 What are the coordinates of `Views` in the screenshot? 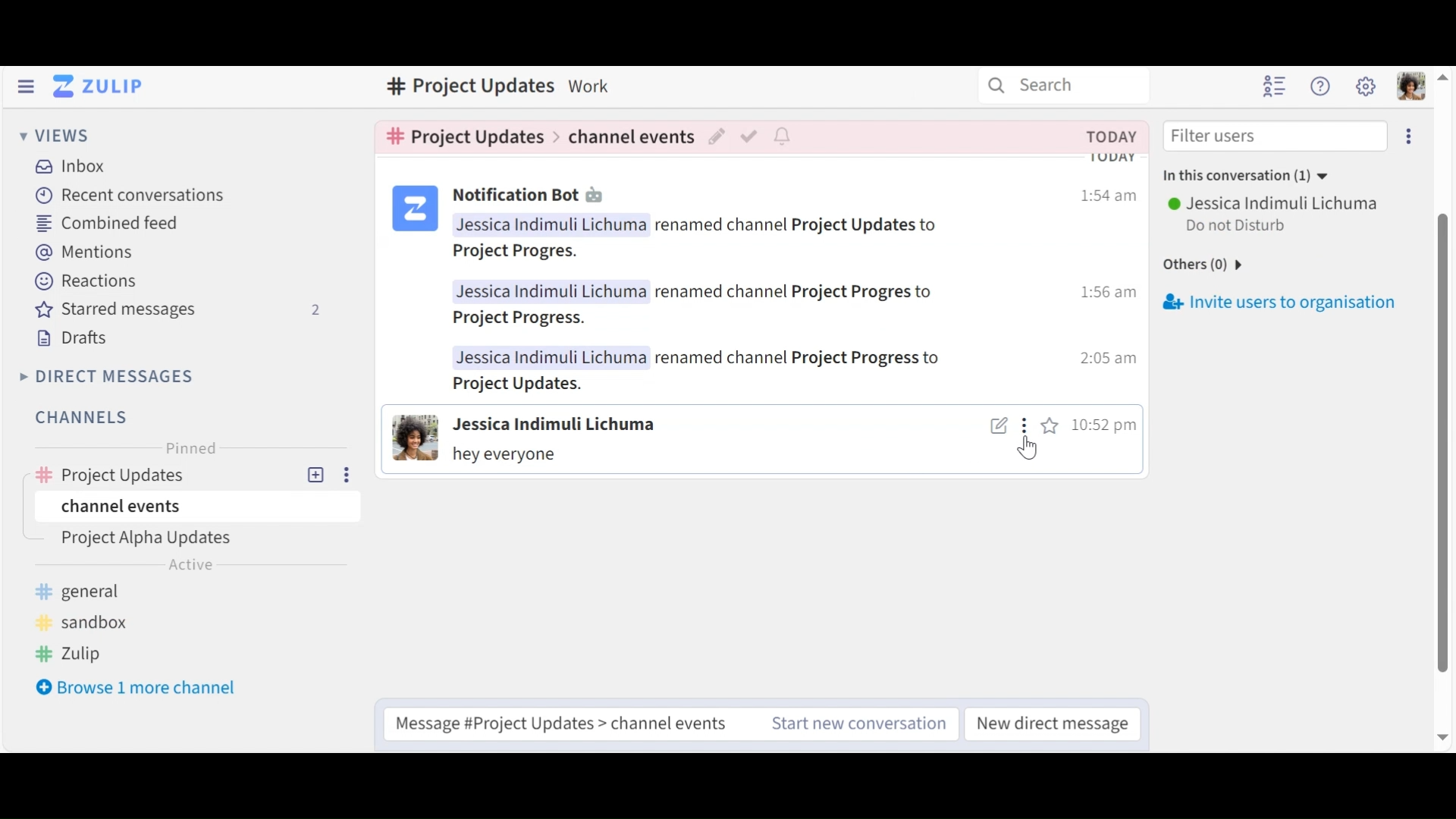 It's located at (58, 138).